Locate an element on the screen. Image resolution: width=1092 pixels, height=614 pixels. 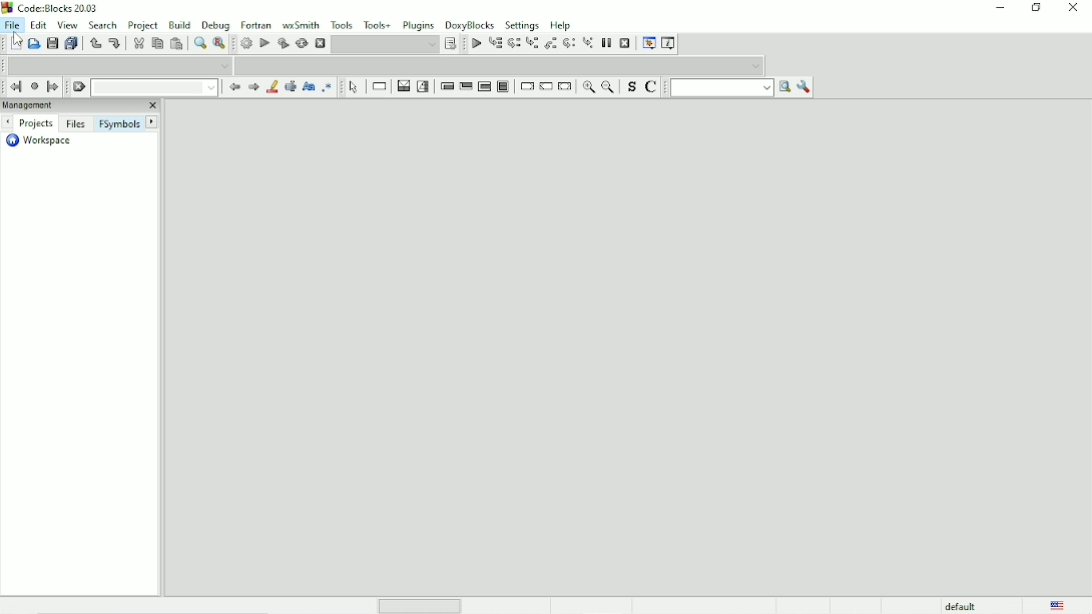
Debug/Continue is located at coordinates (475, 43).